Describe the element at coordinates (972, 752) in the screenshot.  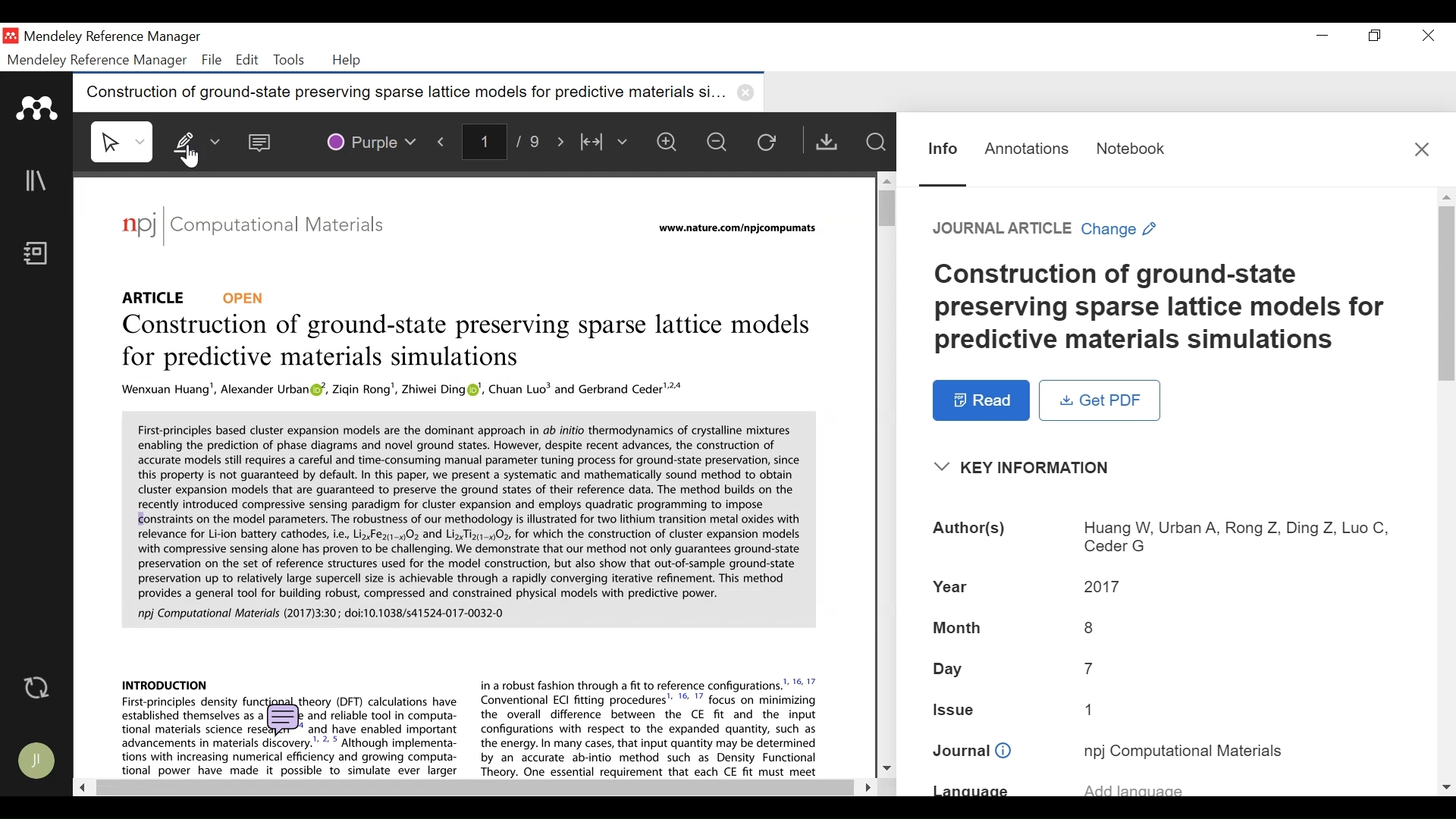
I see `Journal` at that location.